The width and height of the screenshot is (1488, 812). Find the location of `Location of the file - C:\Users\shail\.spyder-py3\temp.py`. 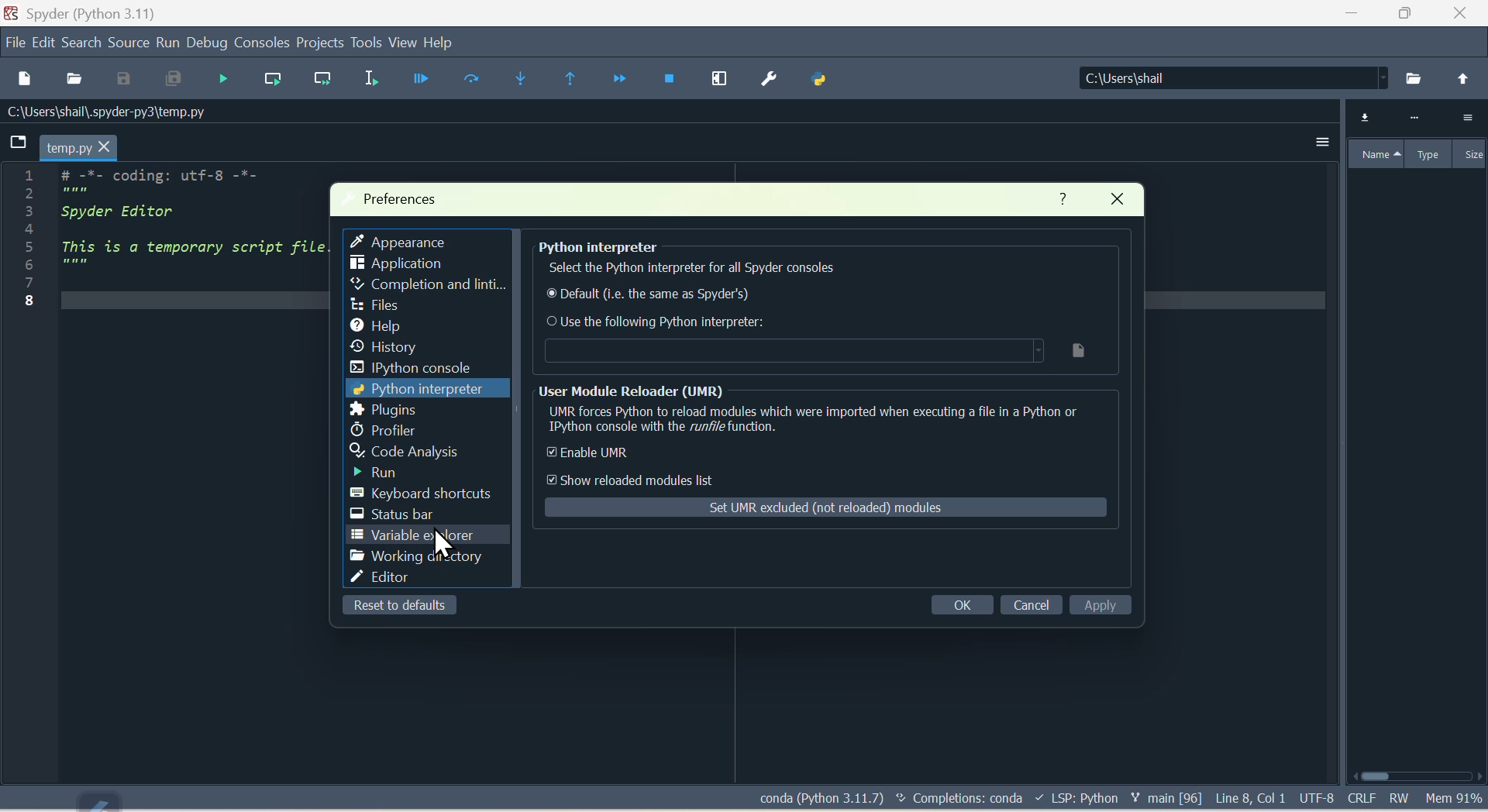

Location of the file - C:\Users\shail\.spyder-py3\temp.py is located at coordinates (129, 112).